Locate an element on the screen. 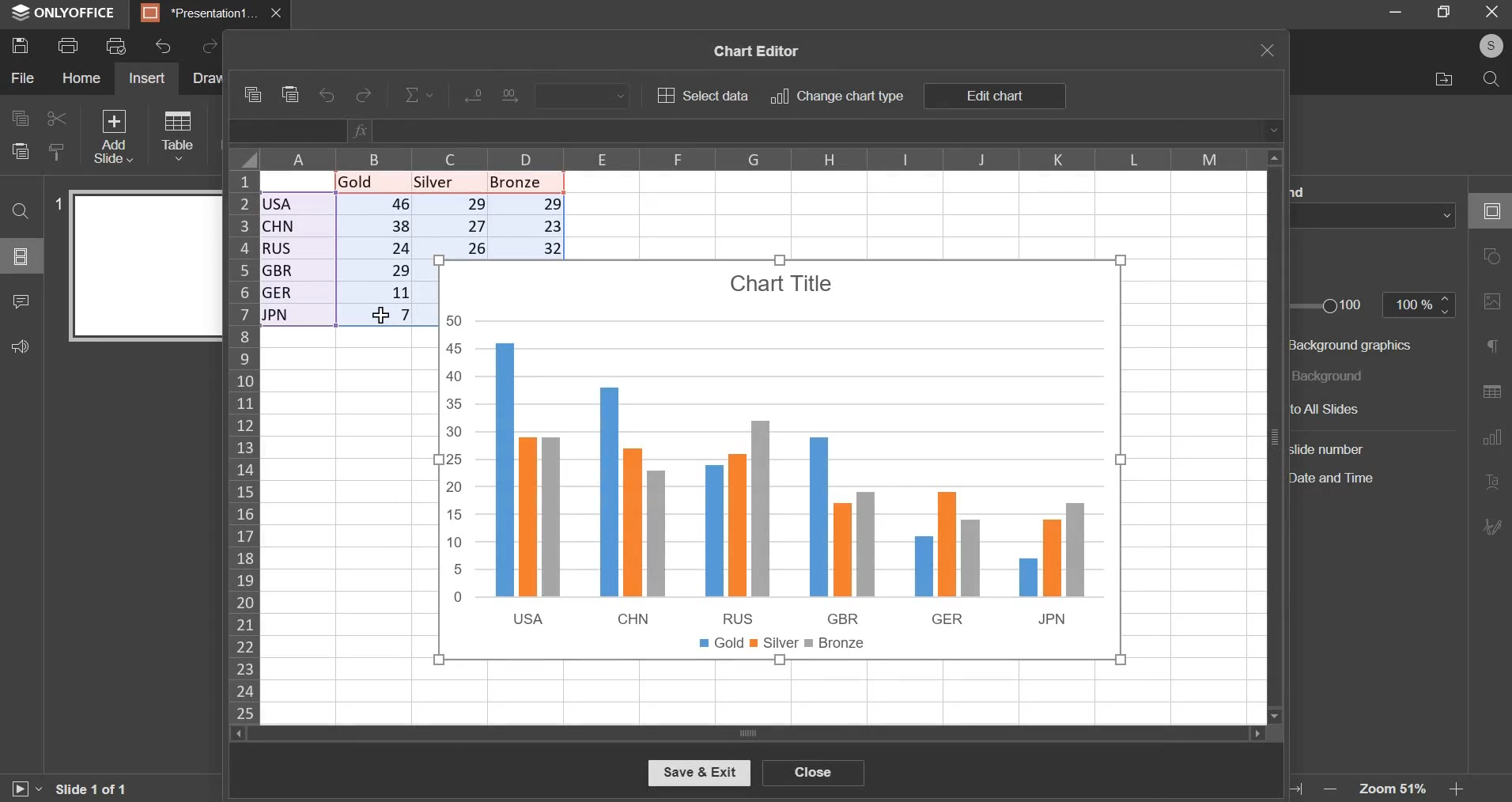 The height and width of the screenshot is (802, 1512). bronze is located at coordinates (524, 182).